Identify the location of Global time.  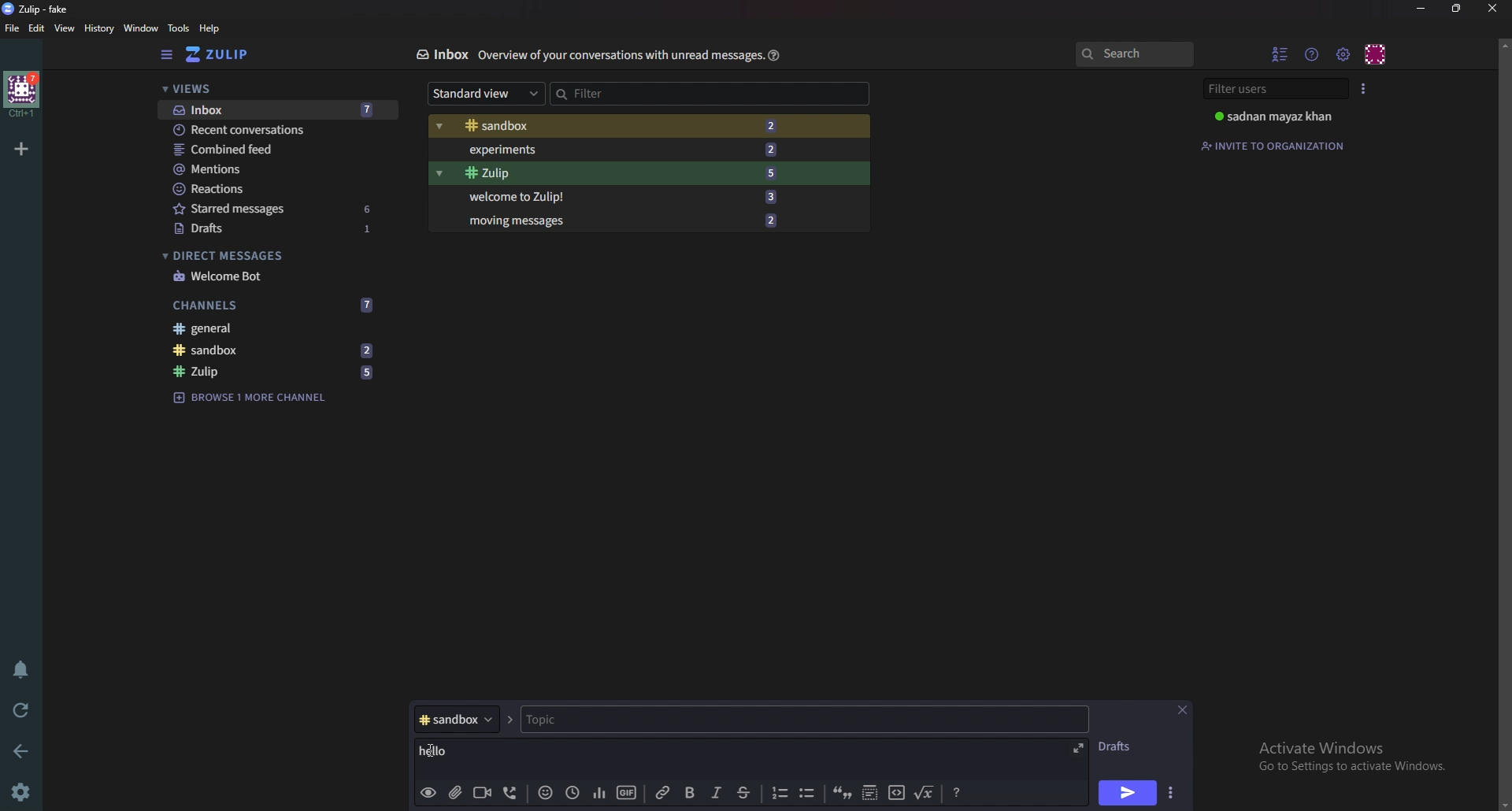
(575, 792).